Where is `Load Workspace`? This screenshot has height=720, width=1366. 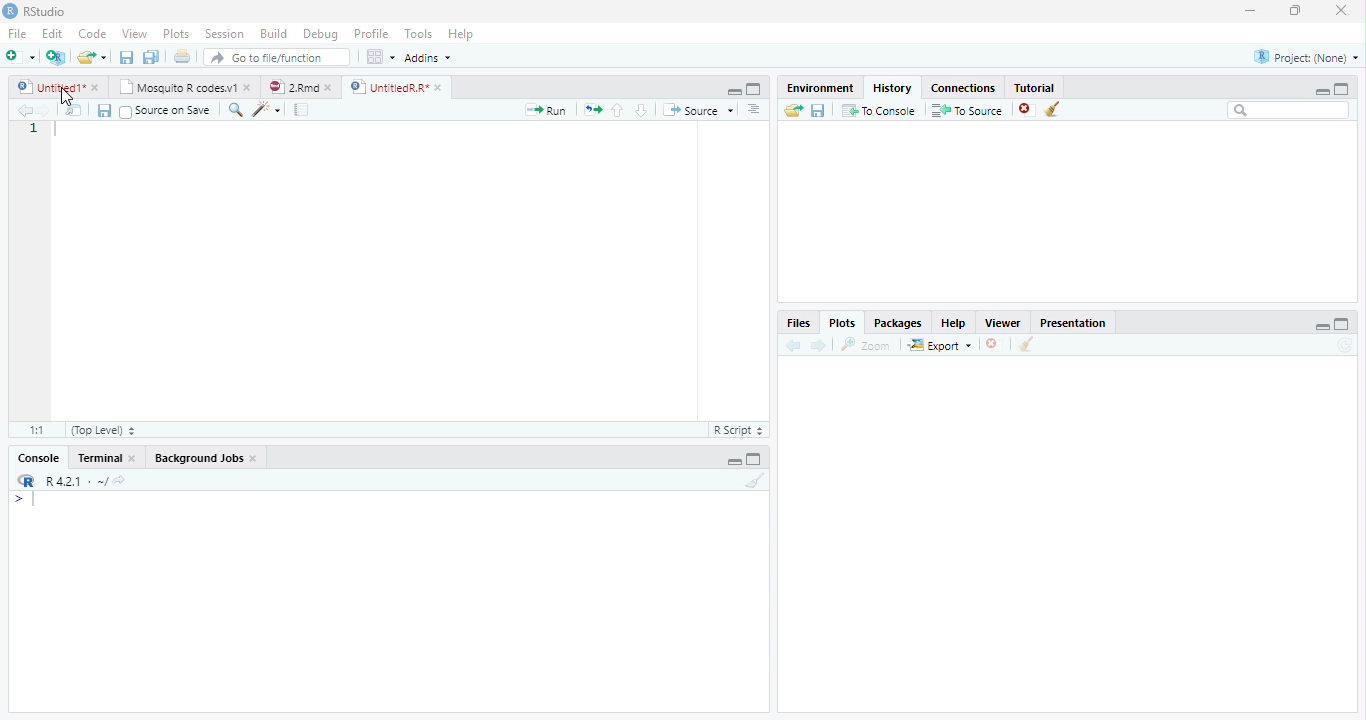
Load Workspace is located at coordinates (796, 114).